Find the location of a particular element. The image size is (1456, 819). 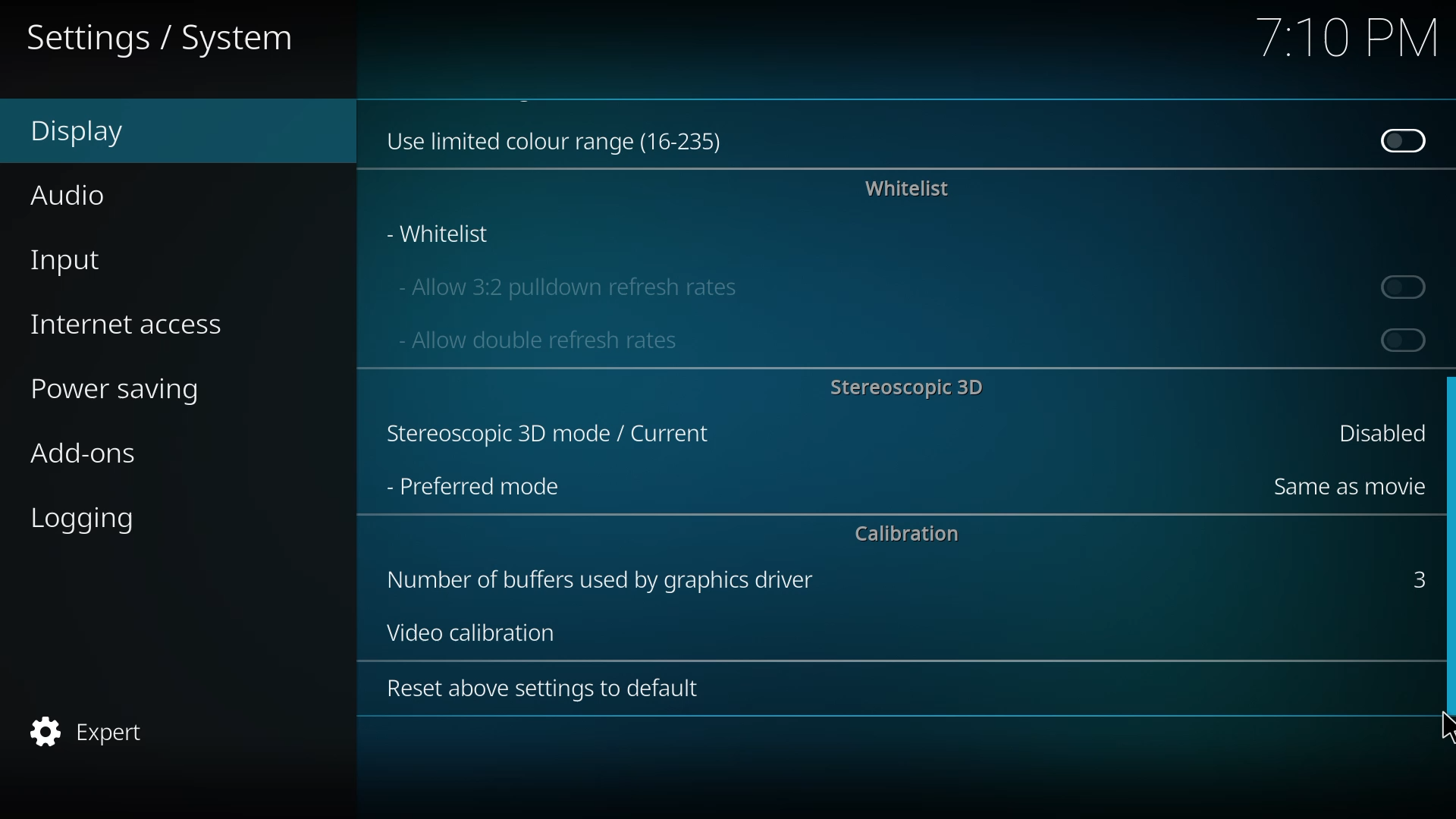

whitelist is located at coordinates (899, 188).